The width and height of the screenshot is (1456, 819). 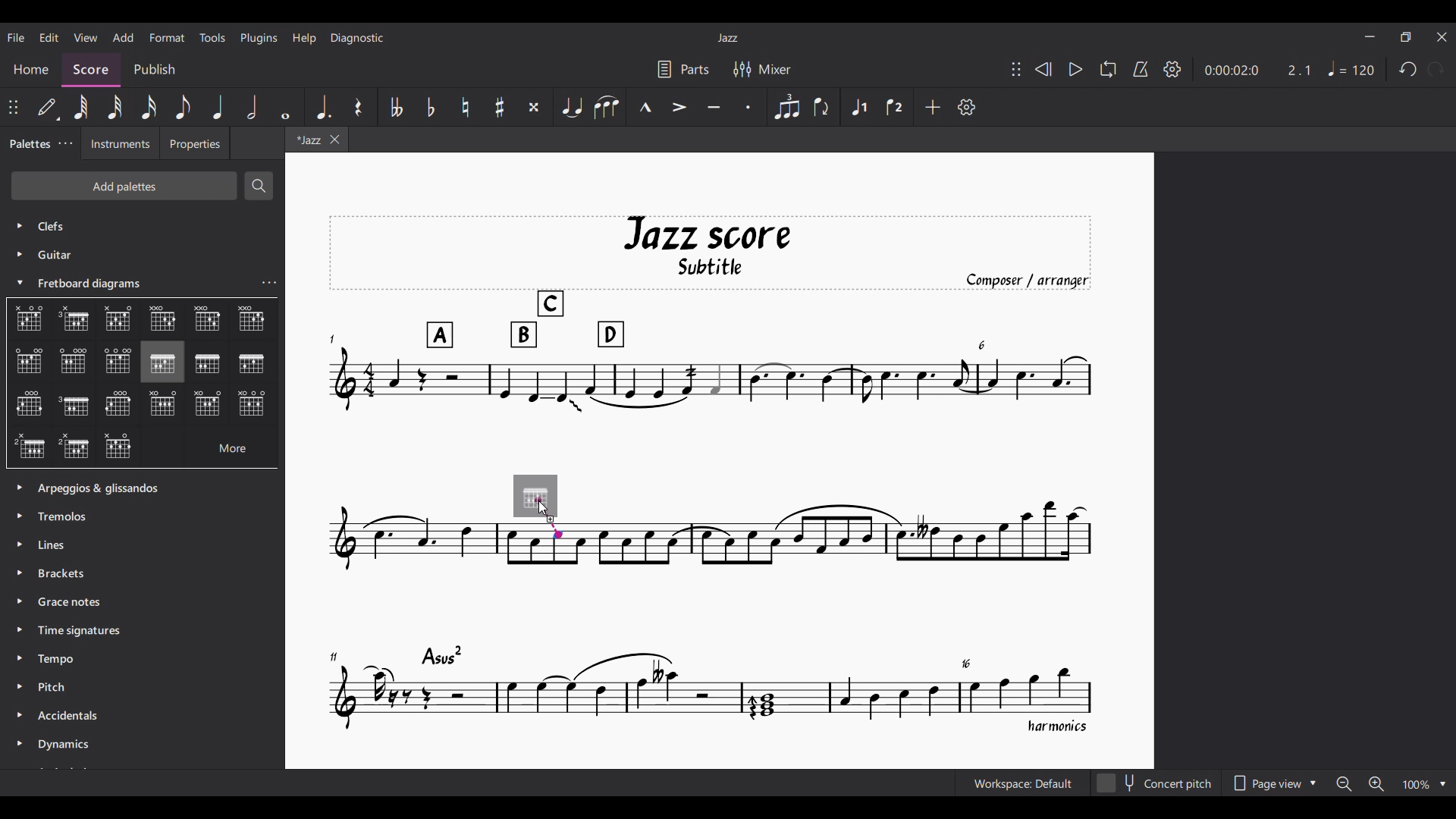 I want to click on Expand, so click(x=22, y=616).